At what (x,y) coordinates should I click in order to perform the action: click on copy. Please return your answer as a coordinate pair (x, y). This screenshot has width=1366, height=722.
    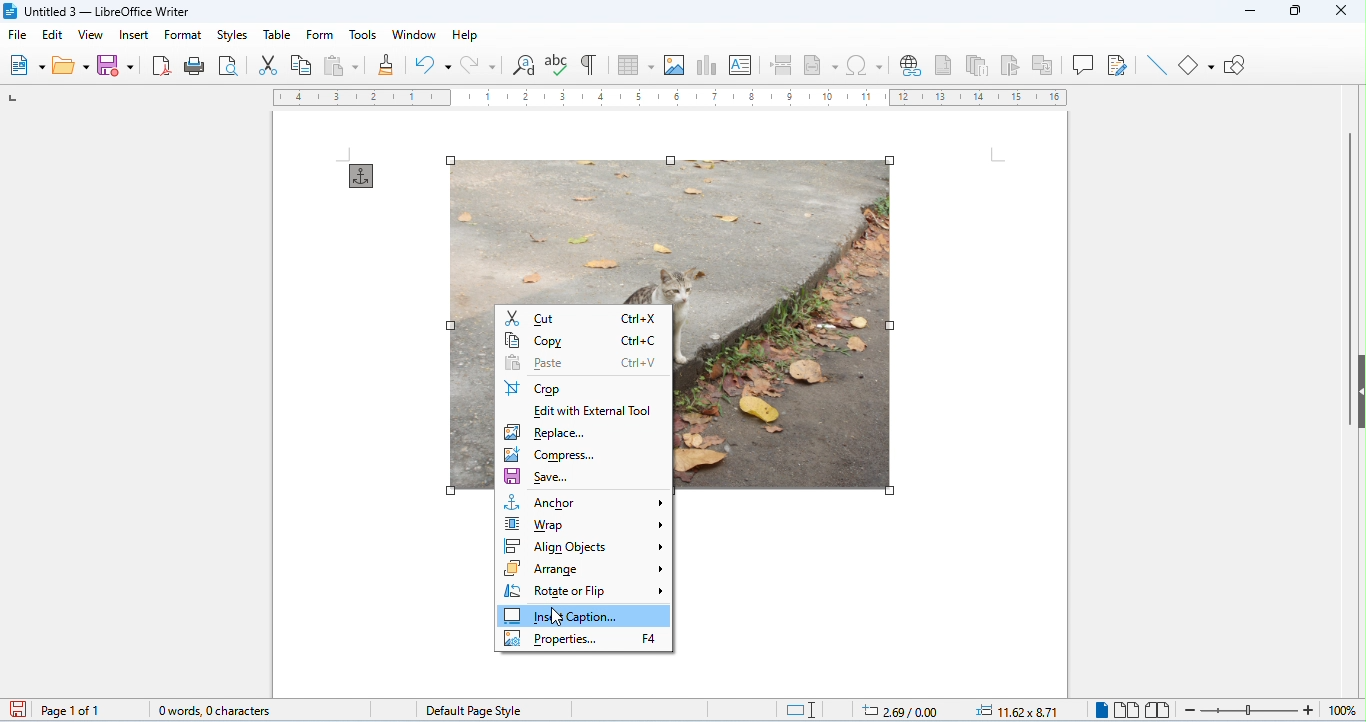
    Looking at the image, I should click on (582, 340).